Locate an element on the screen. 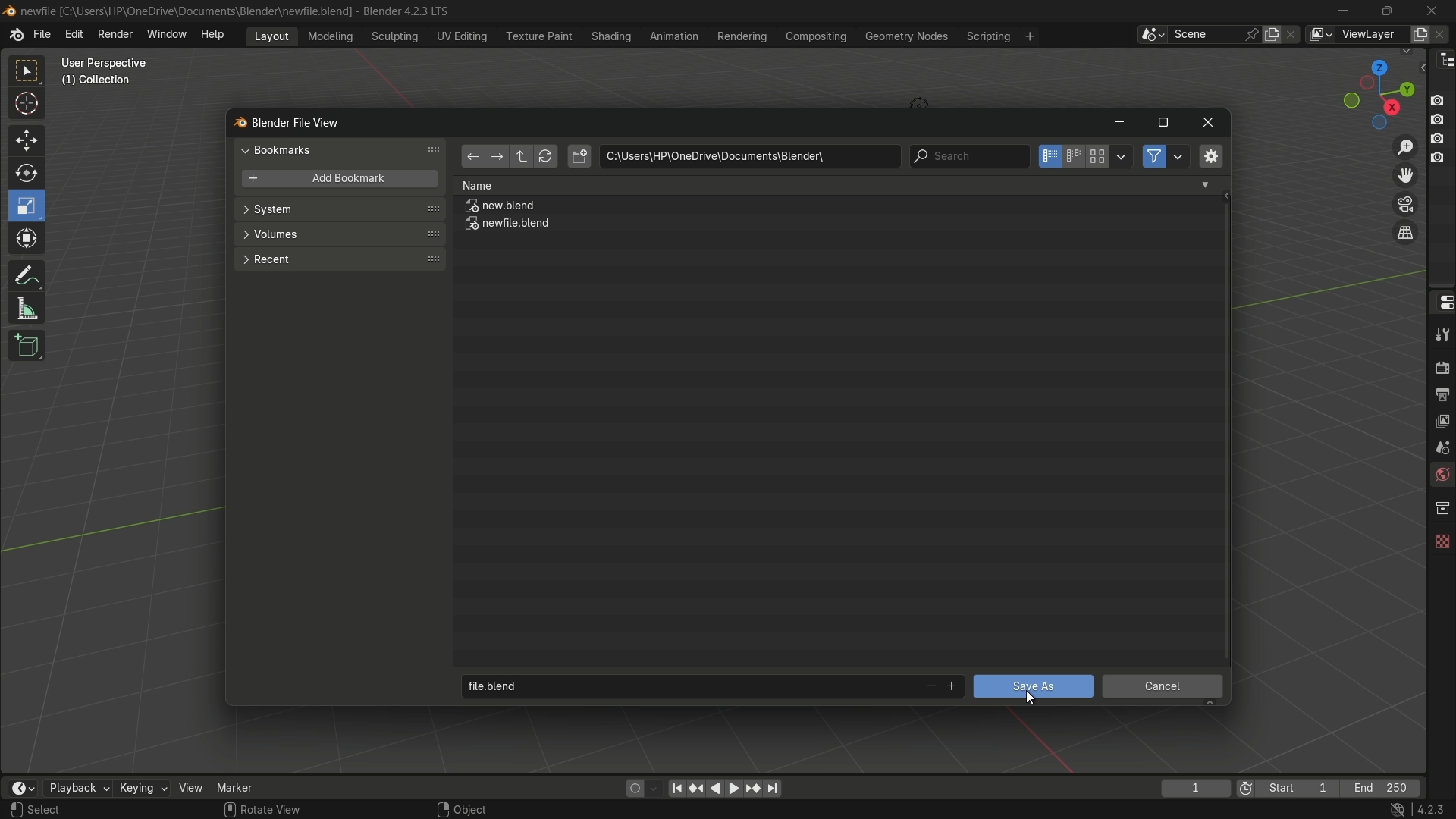 The image size is (1456, 819). Blender 4.2.3 is located at coordinates (402, 11).